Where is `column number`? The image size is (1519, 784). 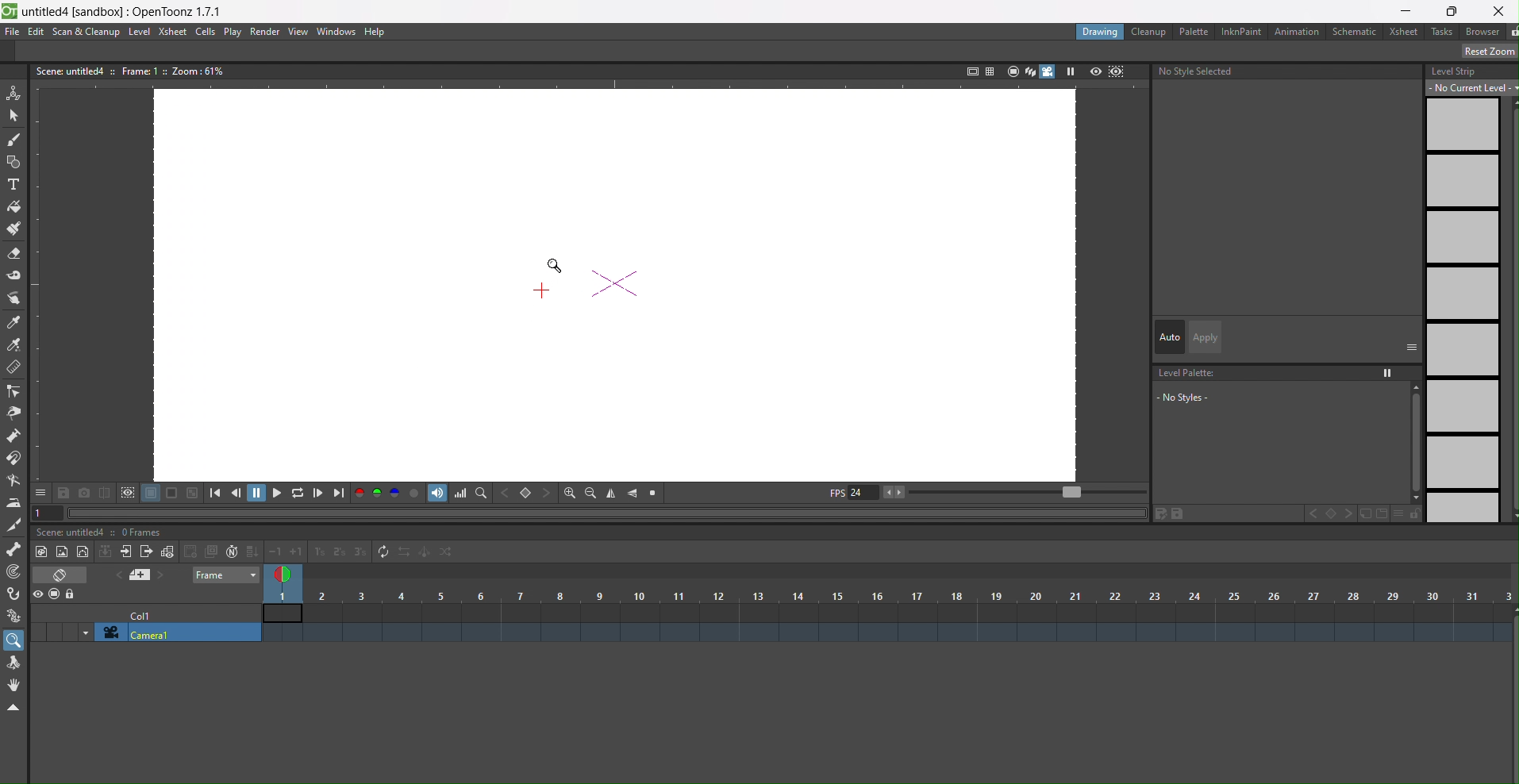
column number is located at coordinates (889, 604).